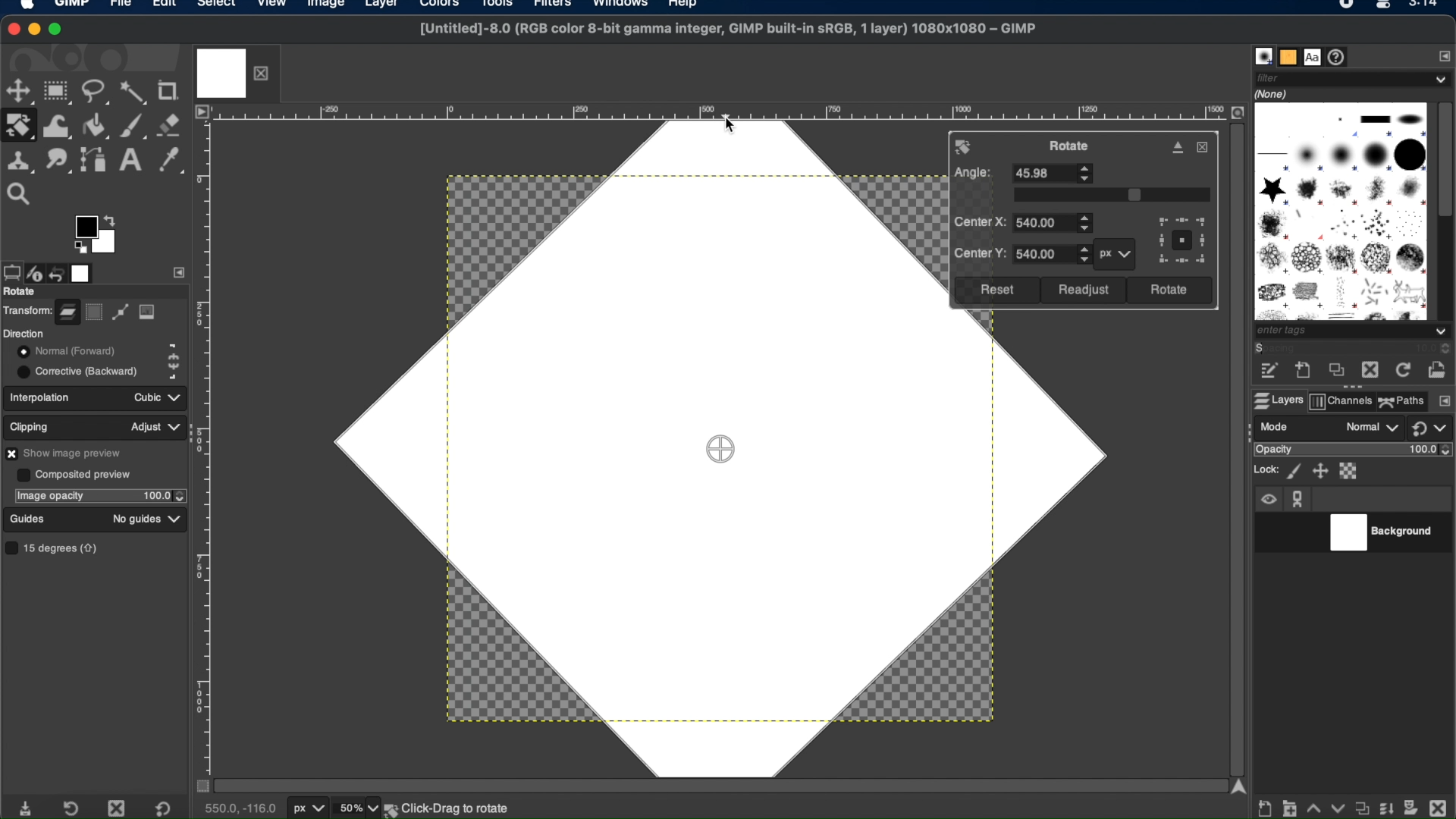 This screenshot has height=819, width=1456. I want to click on 15 degrees, so click(55, 548).